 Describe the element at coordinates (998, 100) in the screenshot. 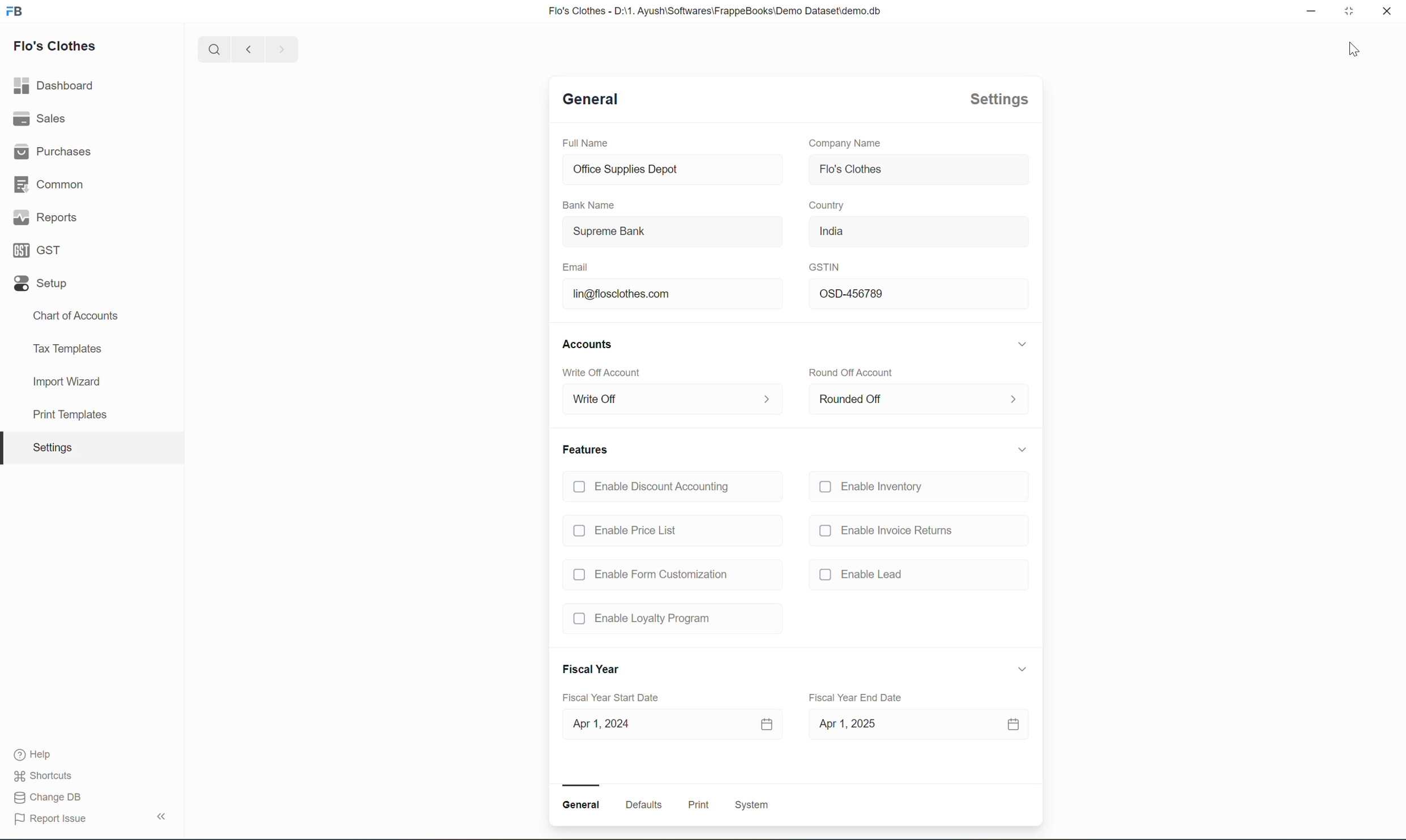

I see `Settings` at that location.